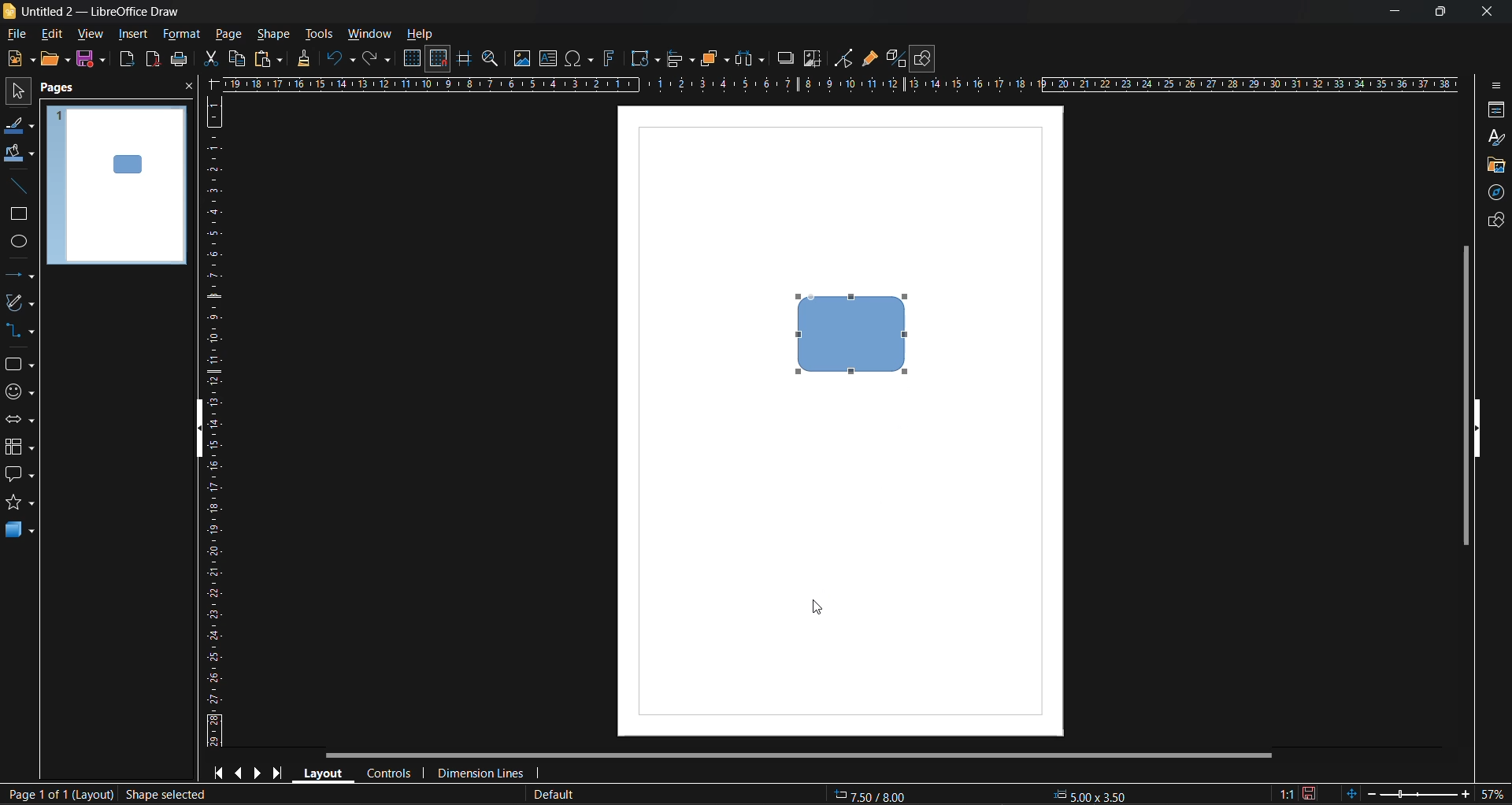 The width and height of the screenshot is (1512, 805). What do you see at coordinates (279, 770) in the screenshot?
I see `last` at bounding box center [279, 770].